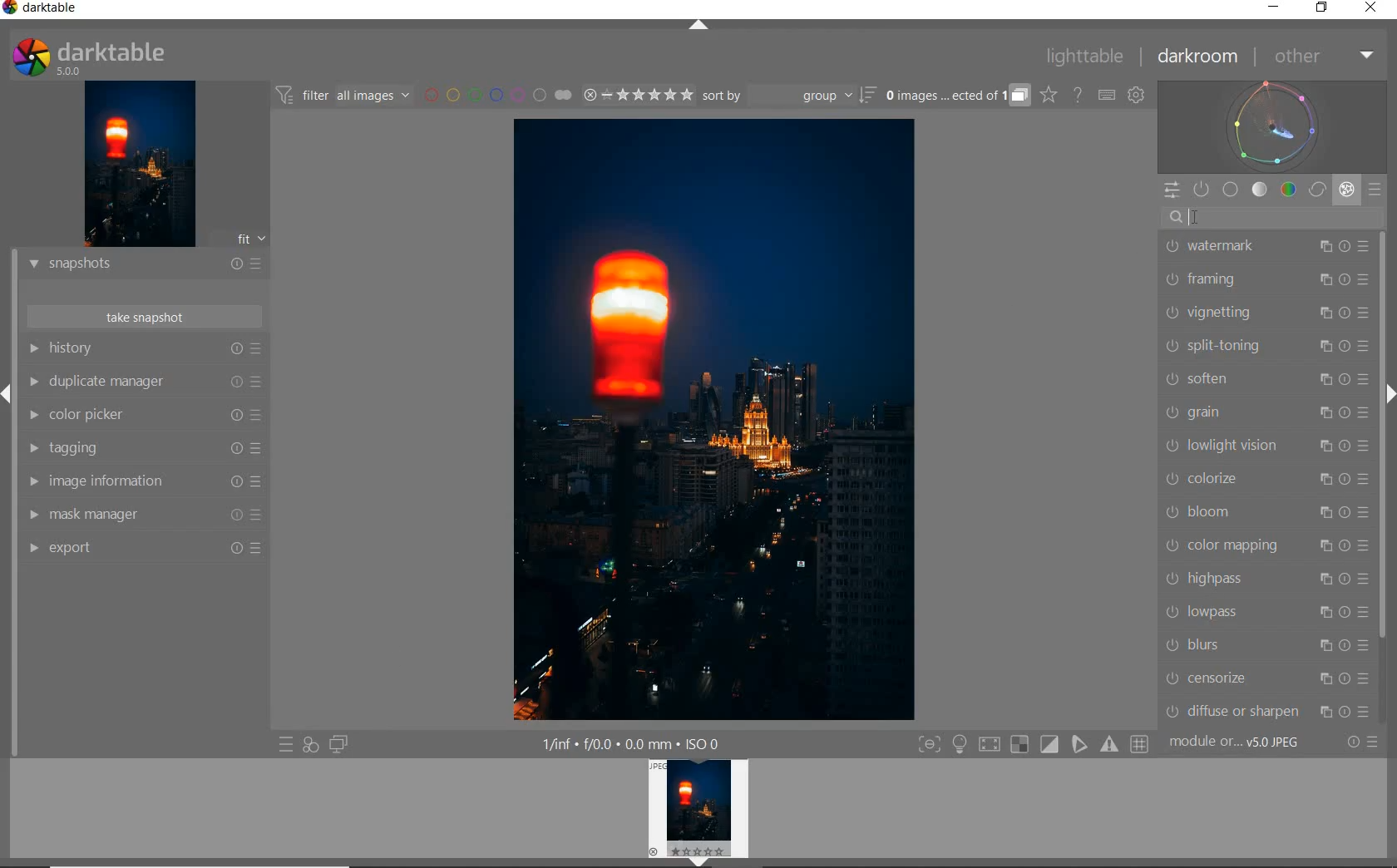 Image resolution: width=1397 pixels, height=868 pixels. Describe the element at coordinates (1365, 547) in the screenshot. I see `Preset and reset` at that location.